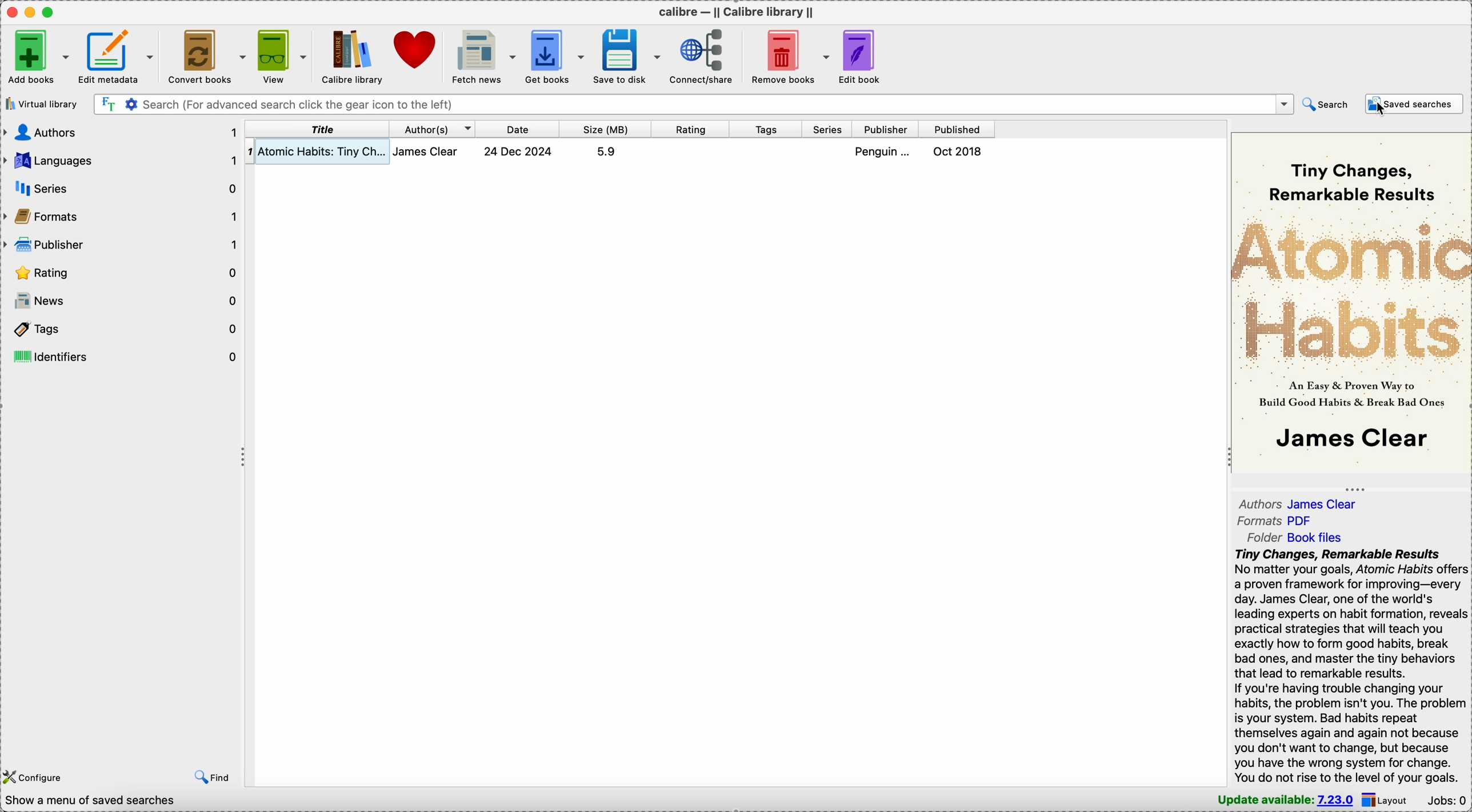 This screenshot has width=1472, height=812. Describe the element at coordinates (123, 356) in the screenshot. I see `identifiers` at that location.